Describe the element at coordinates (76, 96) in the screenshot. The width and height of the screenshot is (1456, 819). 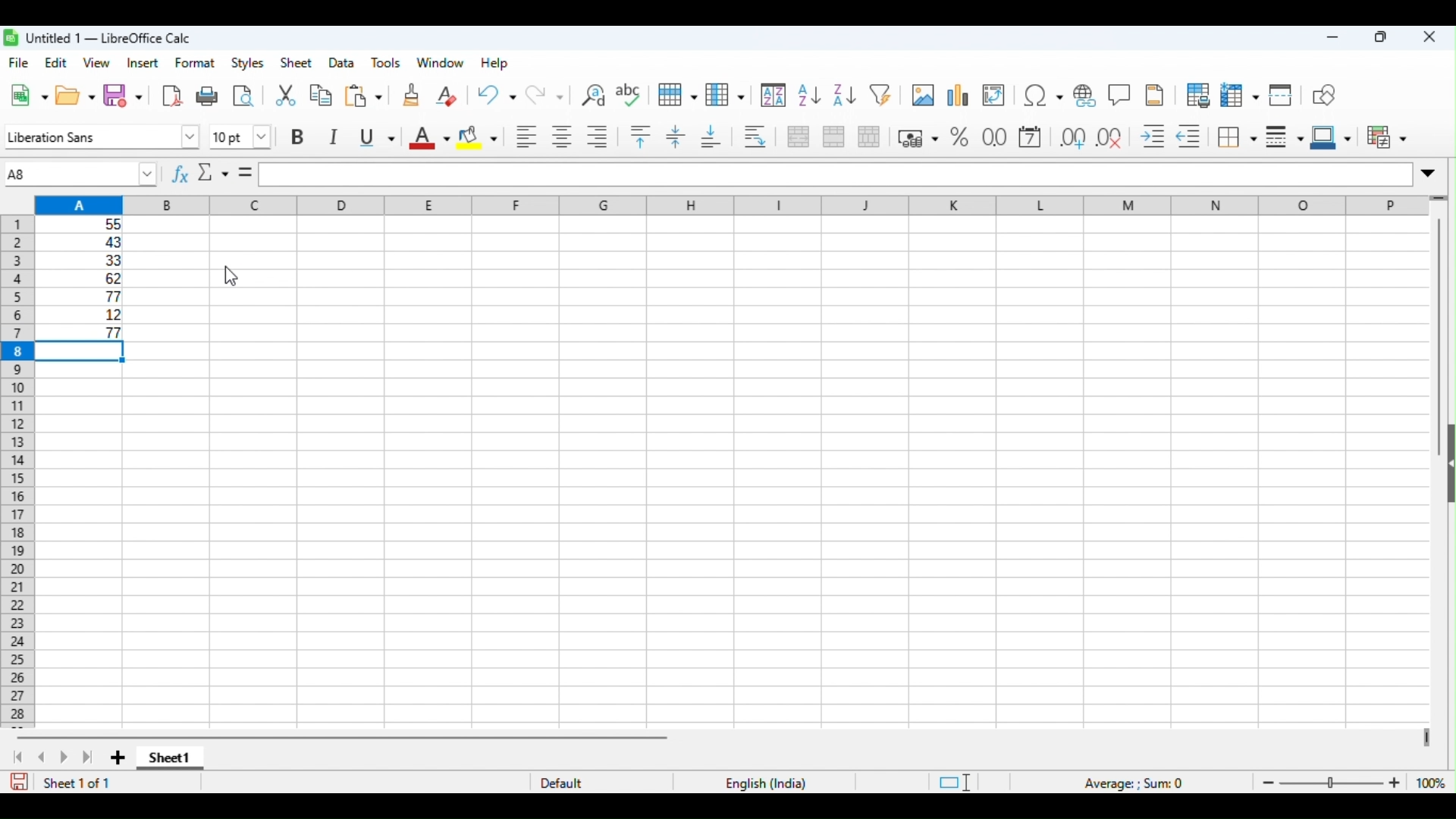
I see `open` at that location.